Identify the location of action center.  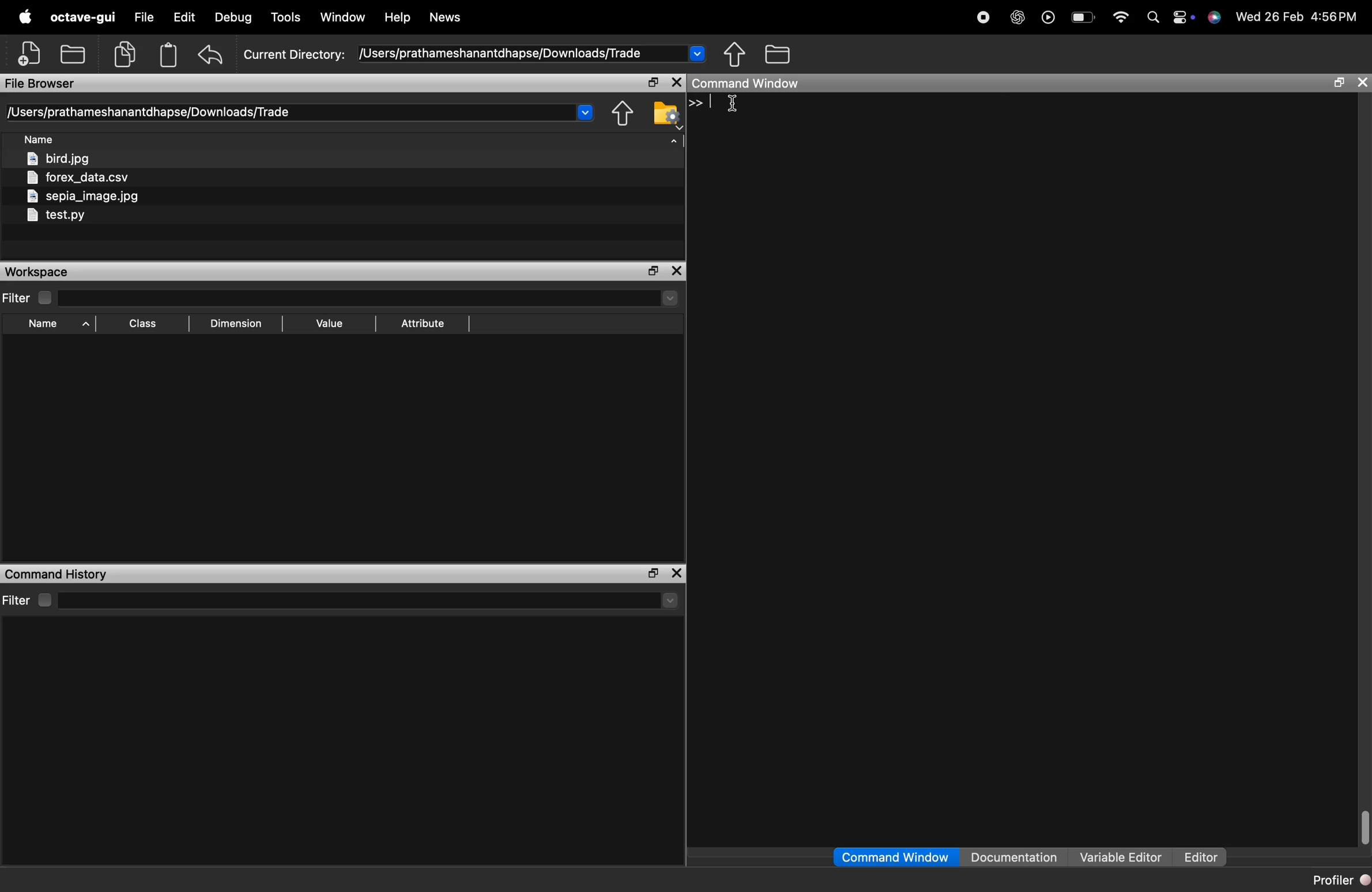
(1185, 18).